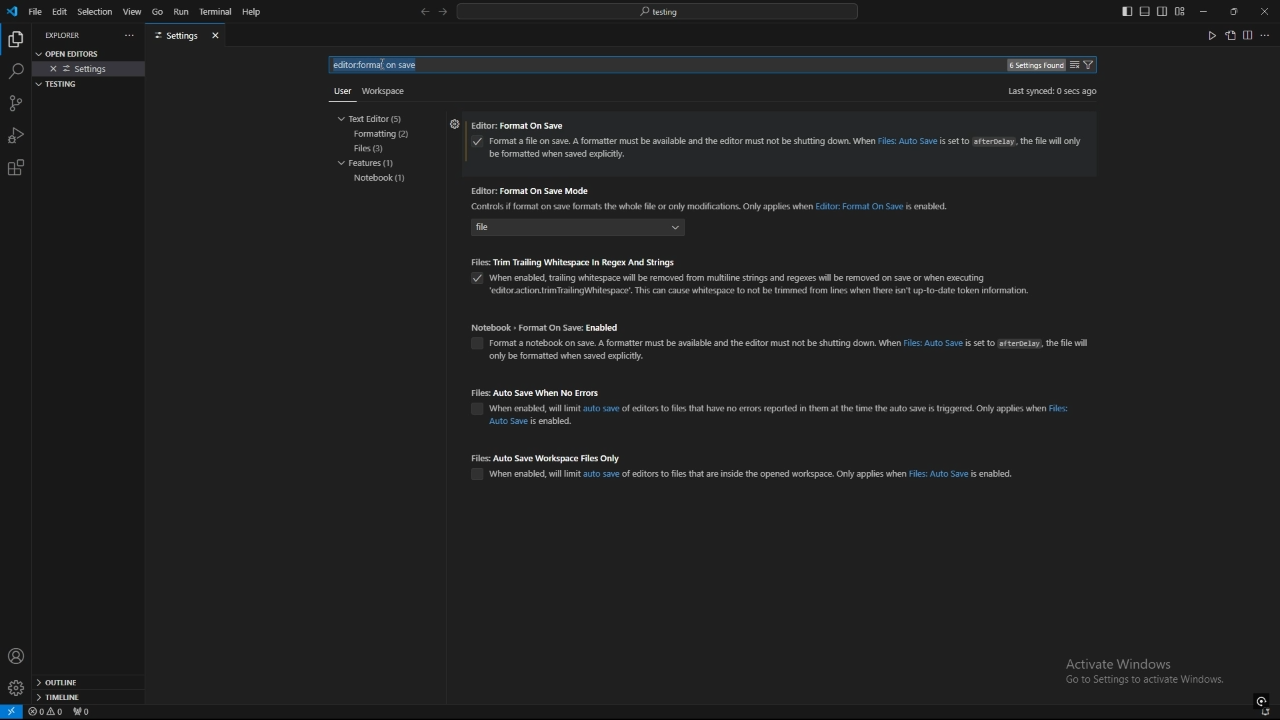 This screenshot has height=720, width=1280. Describe the element at coordinates (760, 261) in the screenshot. I see `trim trailing whitespace` at that location.